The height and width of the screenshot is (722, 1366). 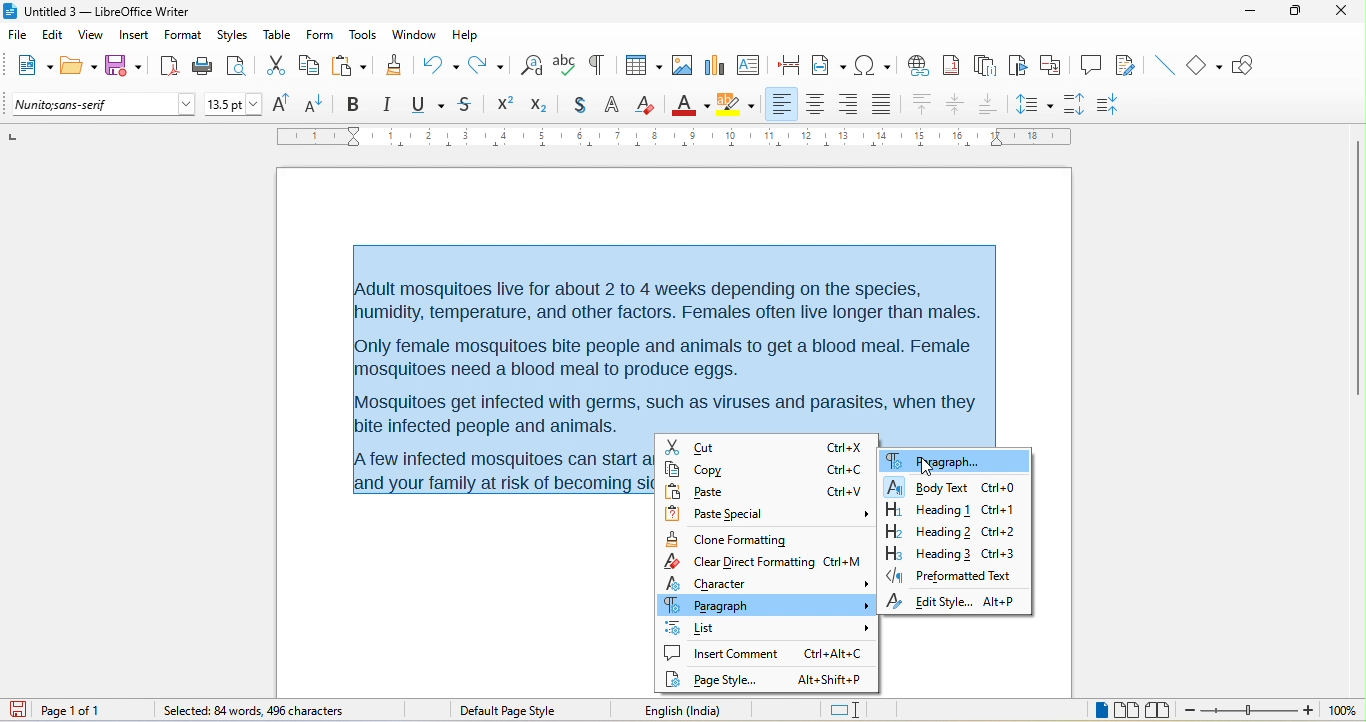 I want to click on underline, so click(x=426, y=105).